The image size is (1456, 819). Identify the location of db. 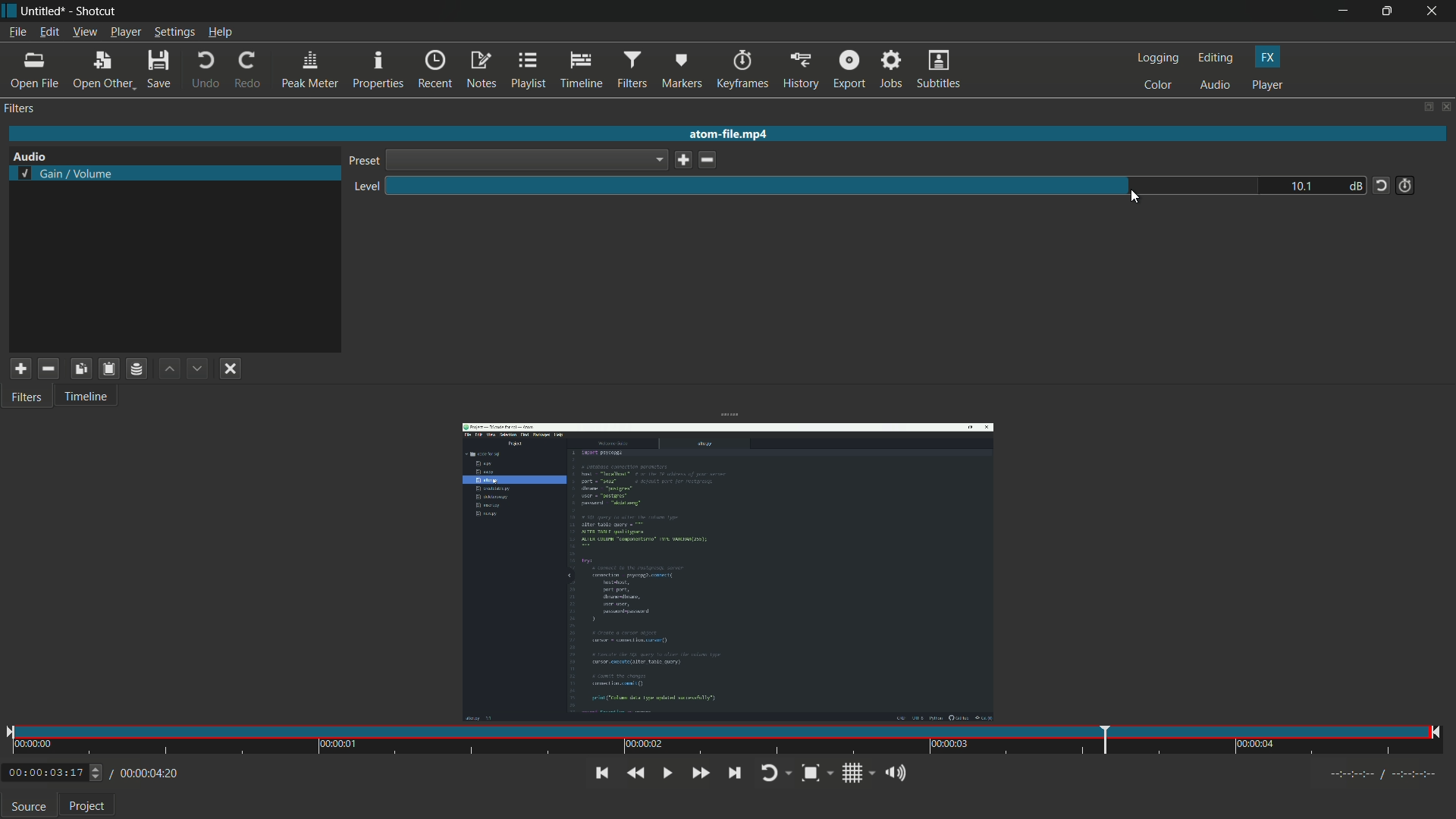
(1354, 186).